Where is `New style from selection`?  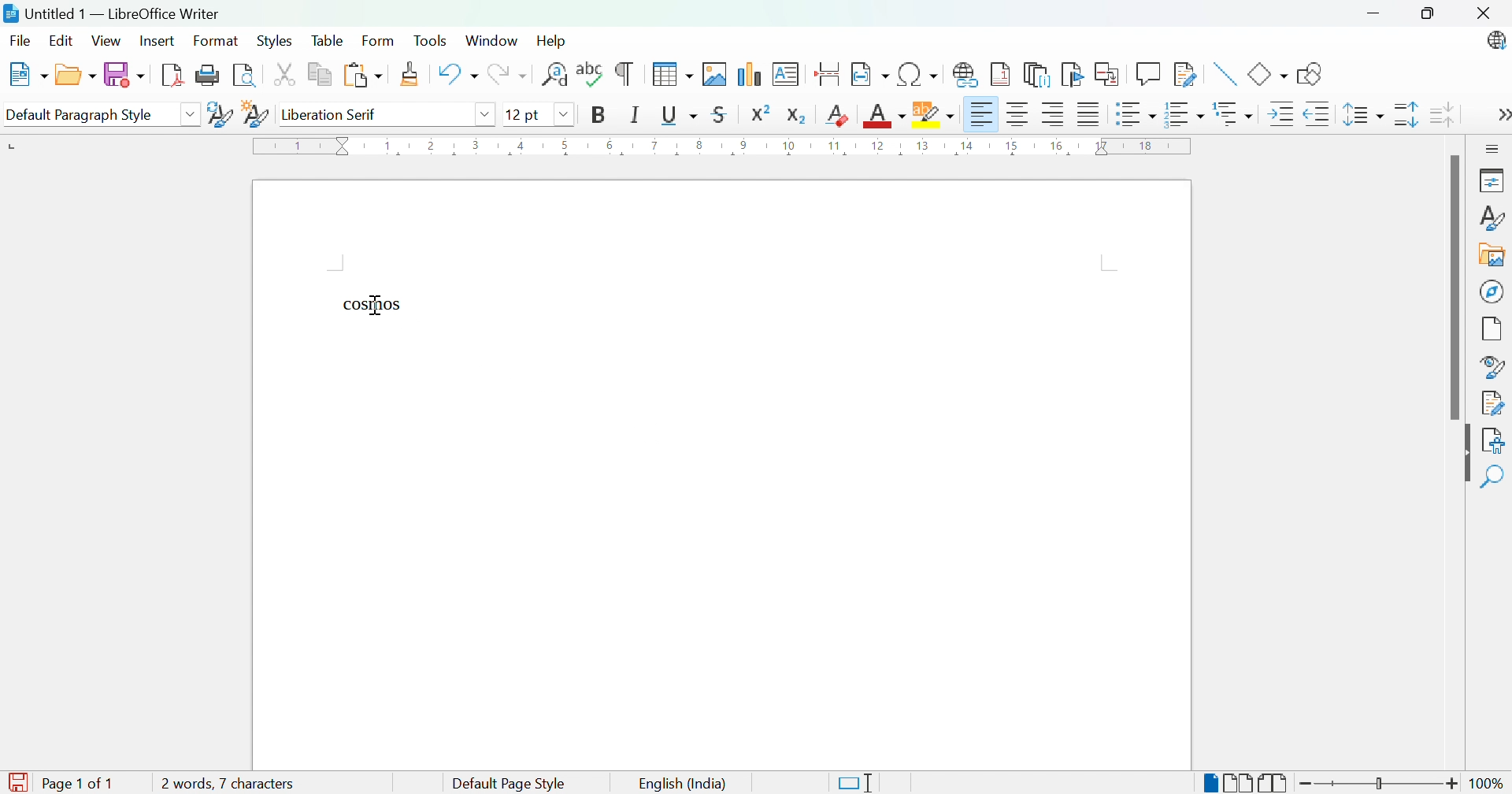 New style from selection is located at coordinates (255, 115).